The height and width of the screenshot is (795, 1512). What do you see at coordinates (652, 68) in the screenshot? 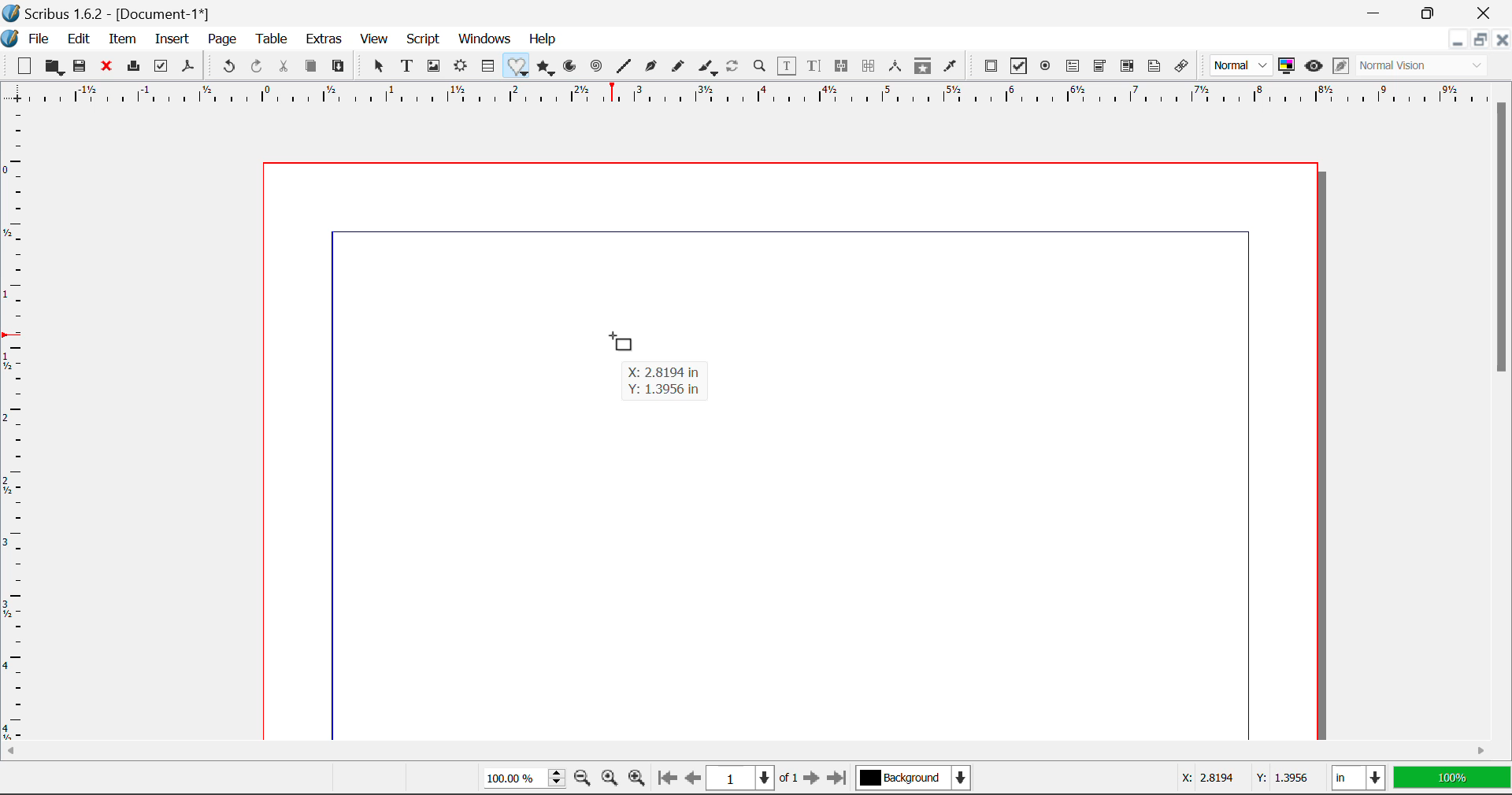
I see `Bezier Curve` at bounding box center [652, 68].